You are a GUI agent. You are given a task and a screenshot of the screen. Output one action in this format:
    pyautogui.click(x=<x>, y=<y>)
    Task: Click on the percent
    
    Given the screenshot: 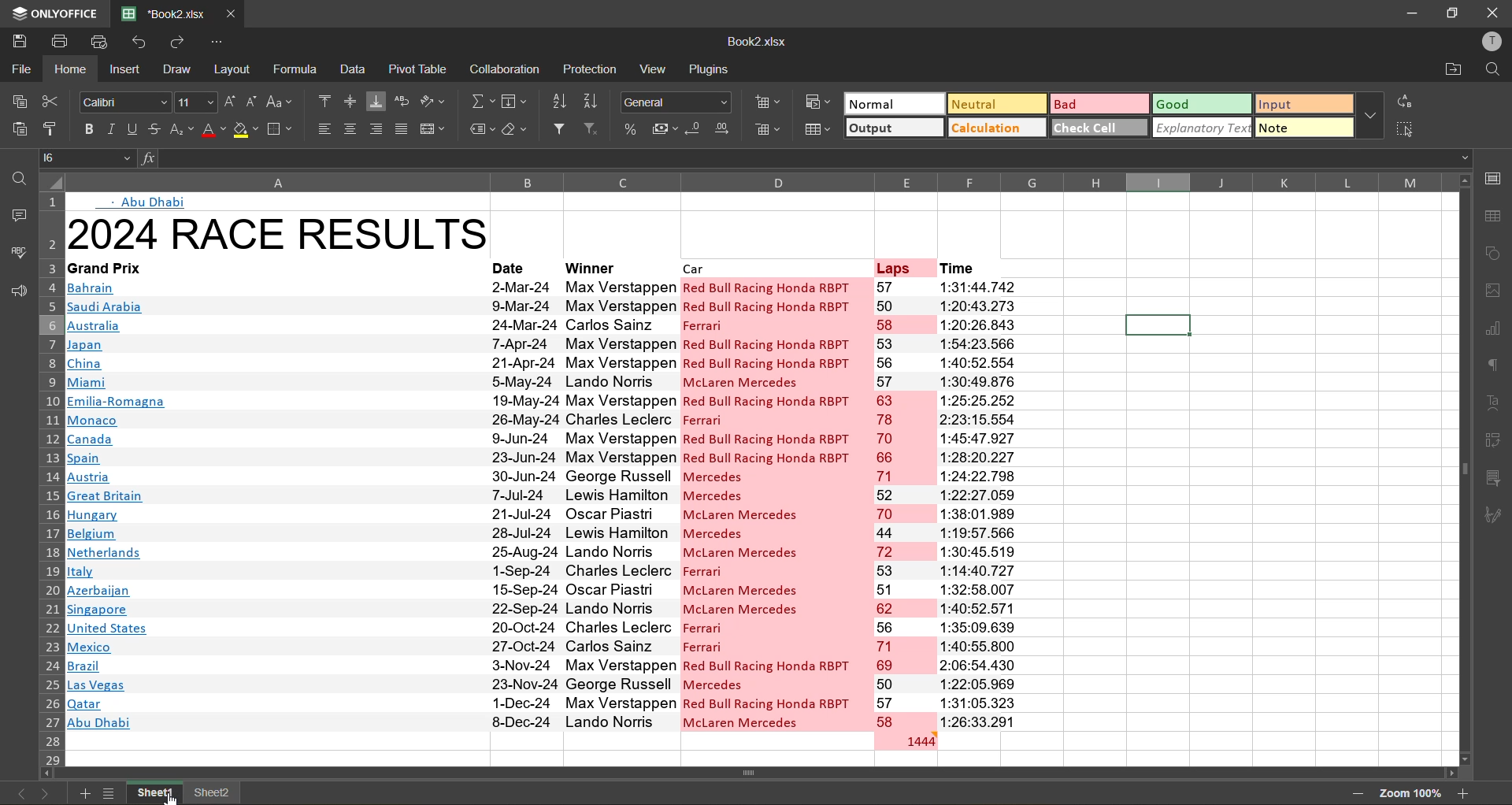 What is the action you would take?
    pyautogui.click(x=628, y=130)
    